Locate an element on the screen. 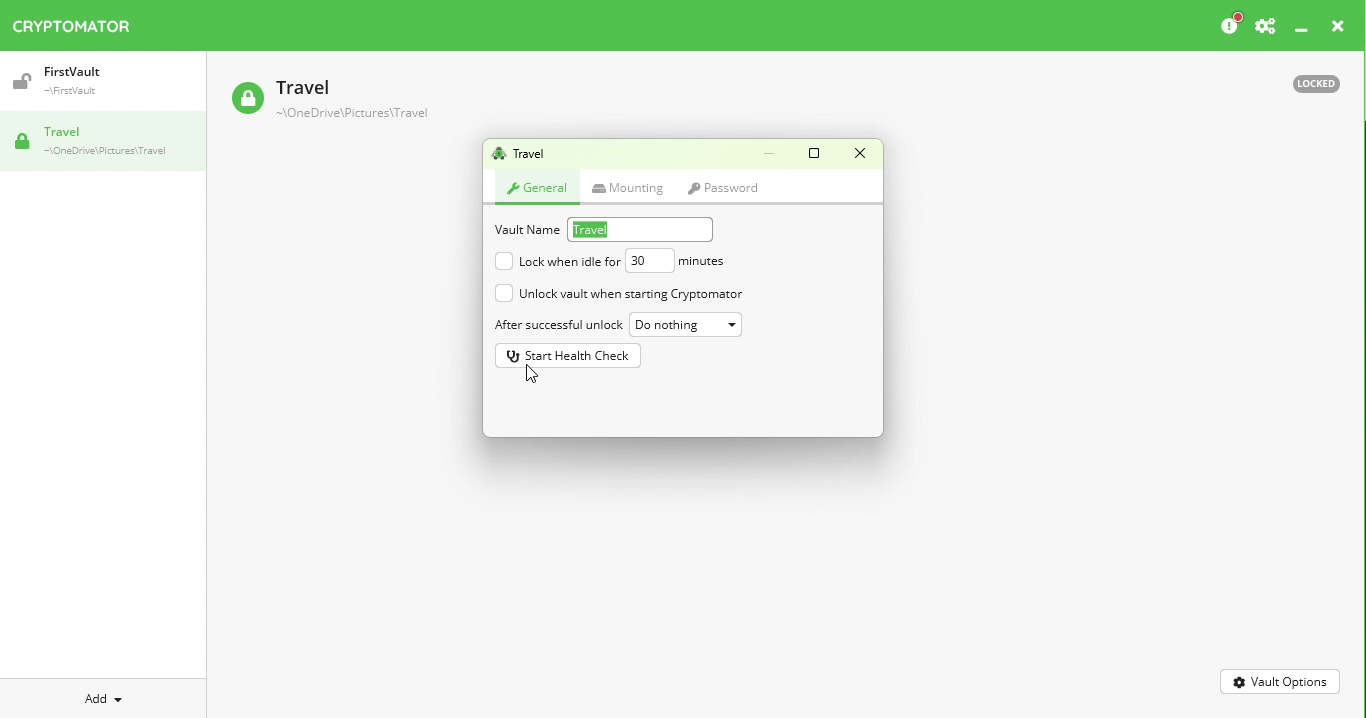  Travel is located at coordinates (331, 101).